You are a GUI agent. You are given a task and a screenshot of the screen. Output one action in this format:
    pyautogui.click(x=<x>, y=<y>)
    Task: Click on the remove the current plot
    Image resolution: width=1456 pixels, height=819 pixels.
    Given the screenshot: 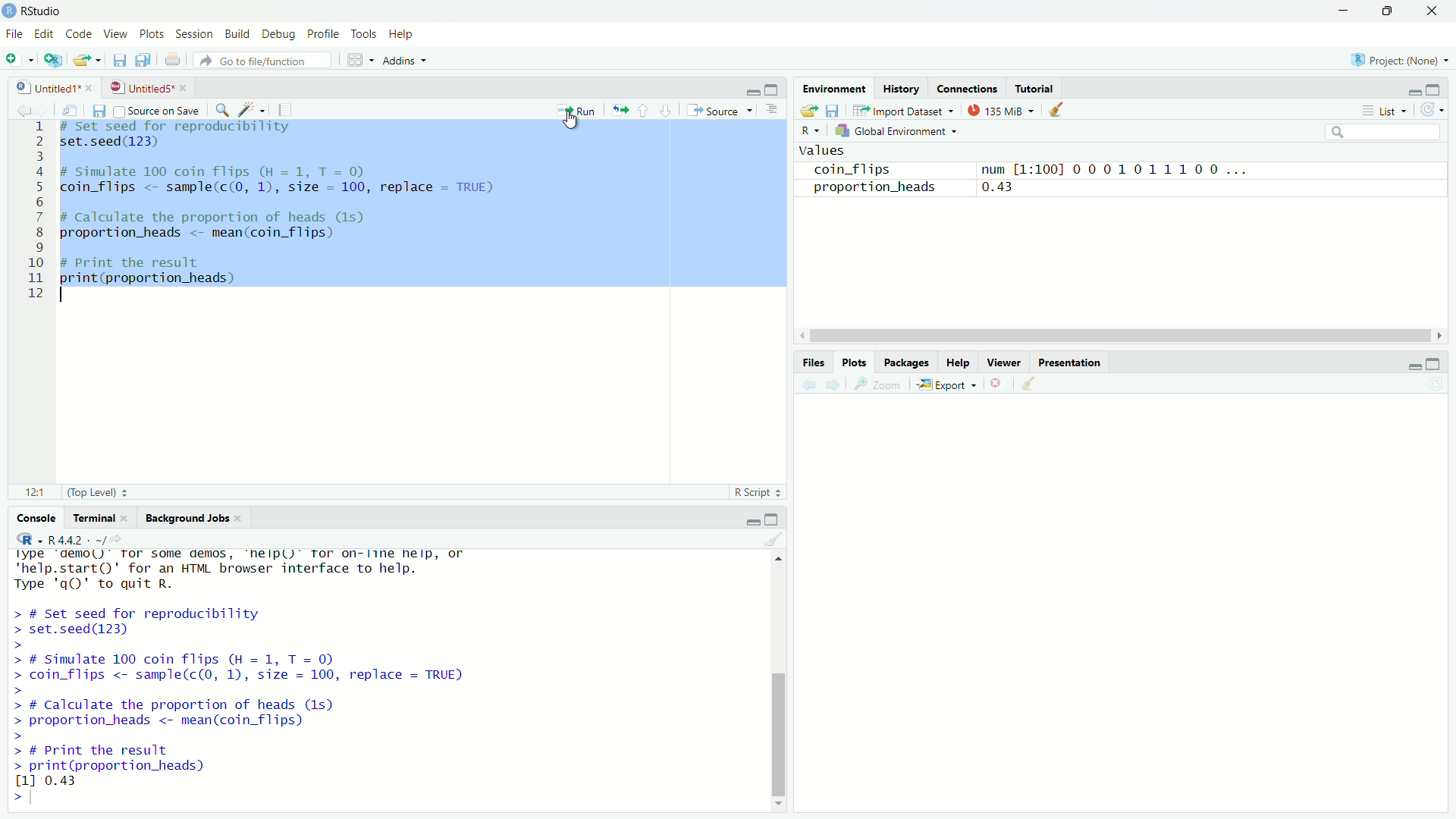 What is the action you would take?
    pyautogui.click(x=997, y=383)
    